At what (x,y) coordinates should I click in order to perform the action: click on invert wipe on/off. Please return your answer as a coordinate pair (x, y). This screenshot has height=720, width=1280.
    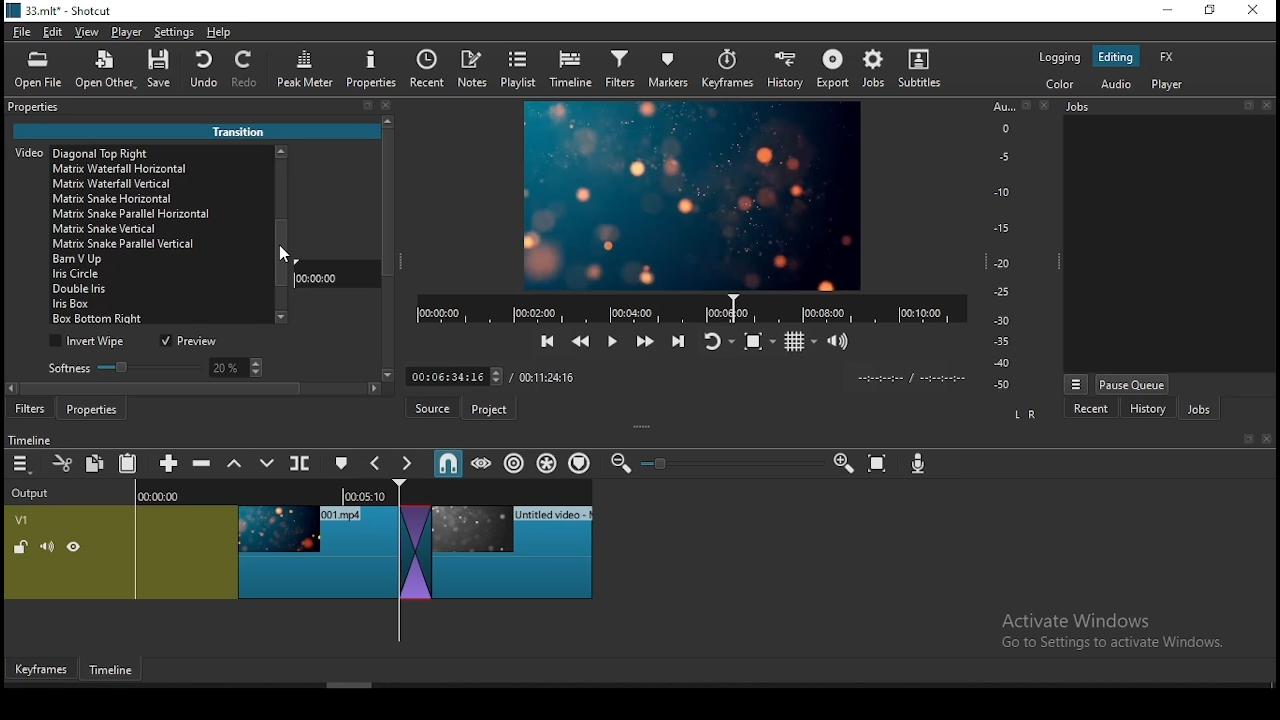
    Looking at the image, I should click on (90, 342).